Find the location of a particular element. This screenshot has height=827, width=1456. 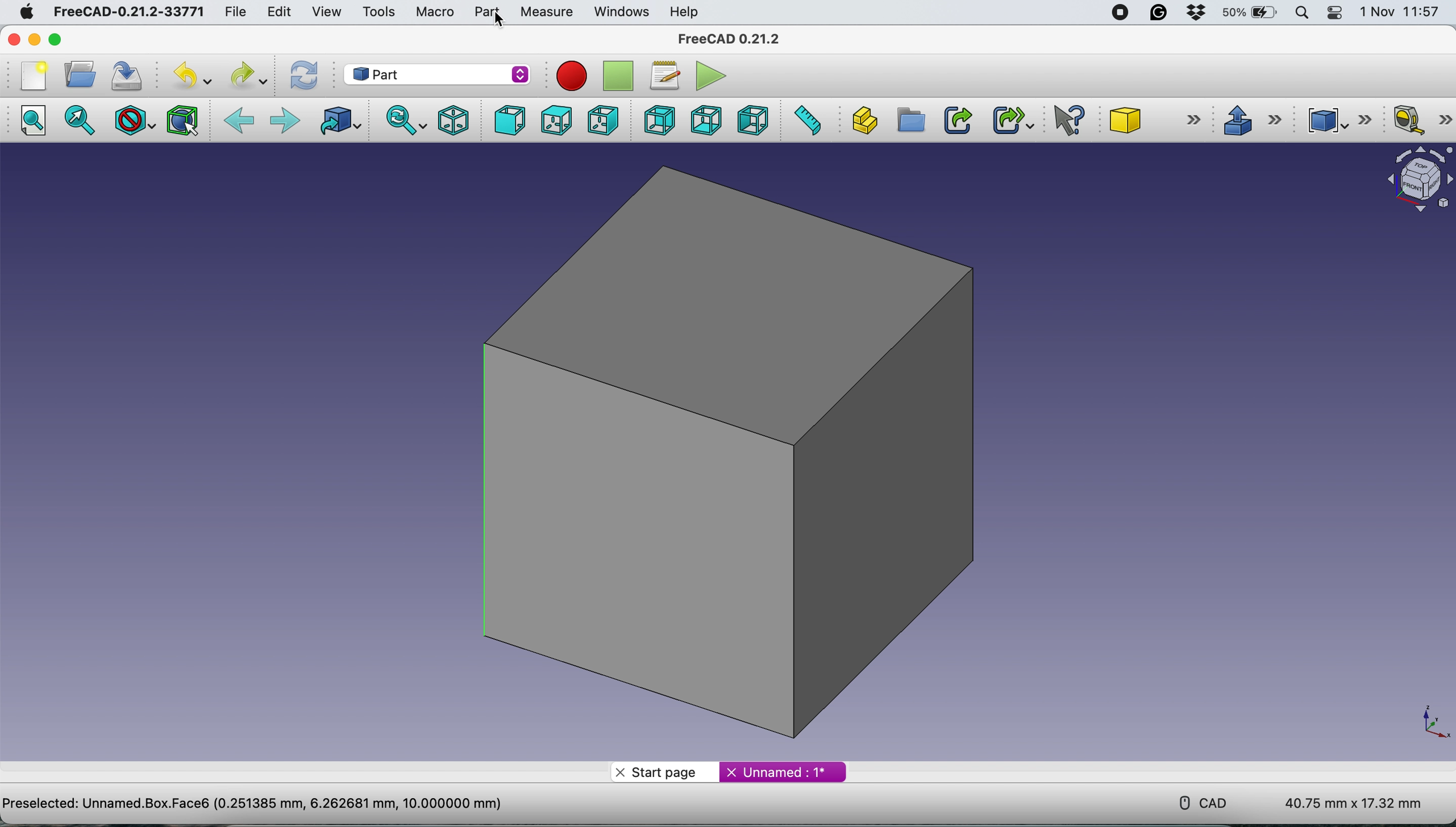

rear is located at coordinates (659, 120).